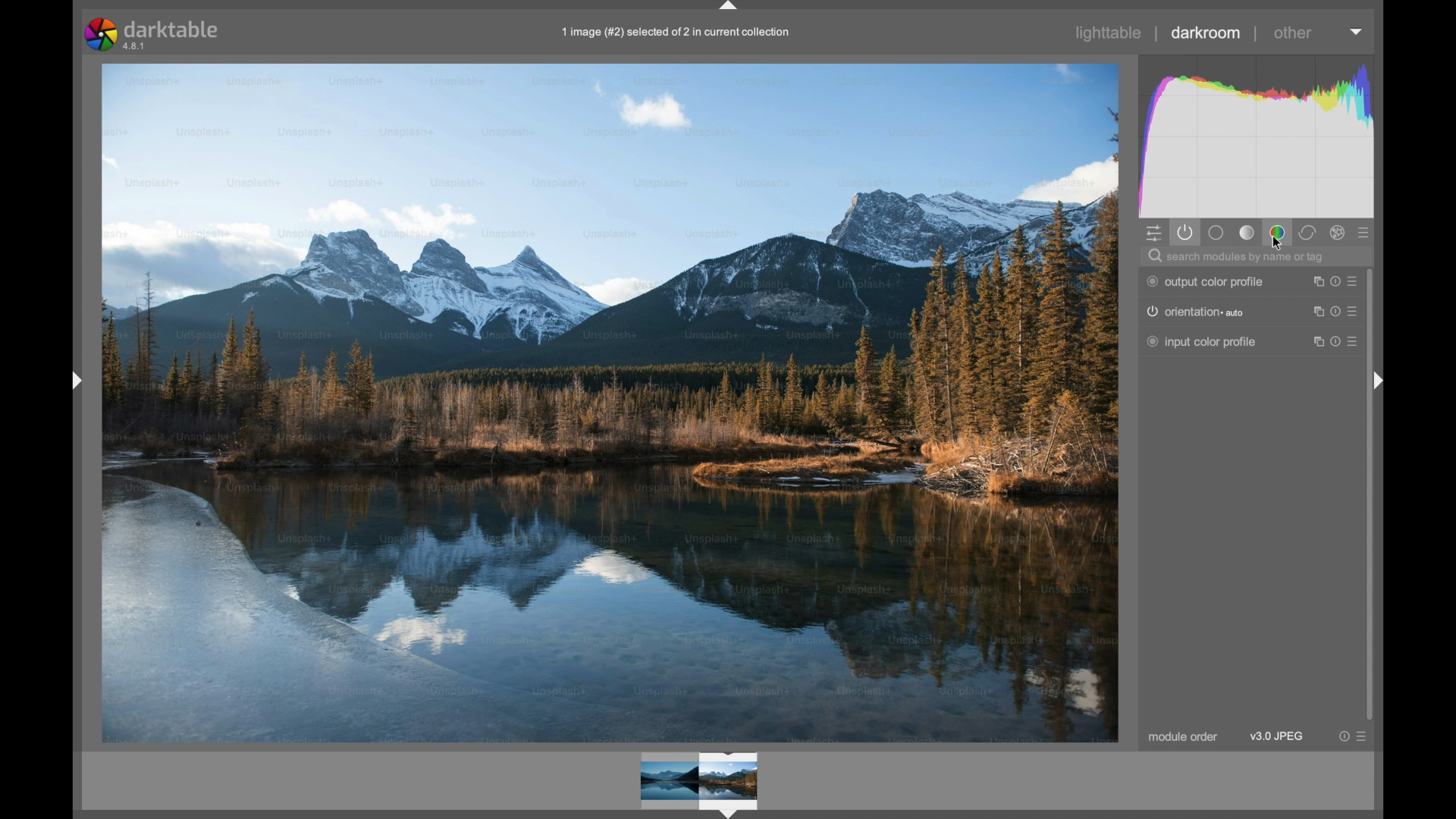 The width and height of the screenshot is (1456, 819). Describe the element at coordinates (1383, 380) in the screenshot. I see `drag handle` at that location.